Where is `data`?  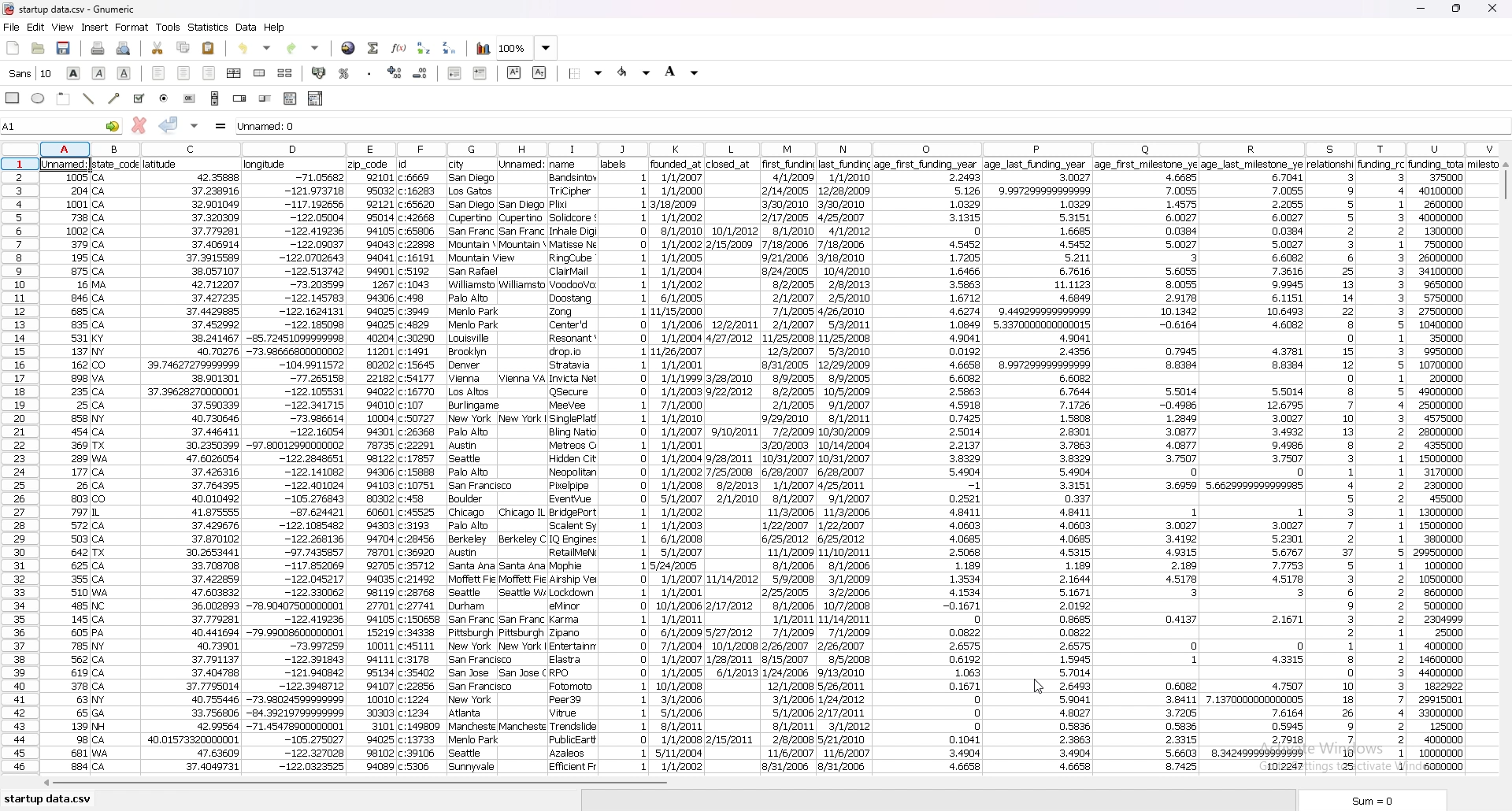
data is located at coordinates (472, 468).